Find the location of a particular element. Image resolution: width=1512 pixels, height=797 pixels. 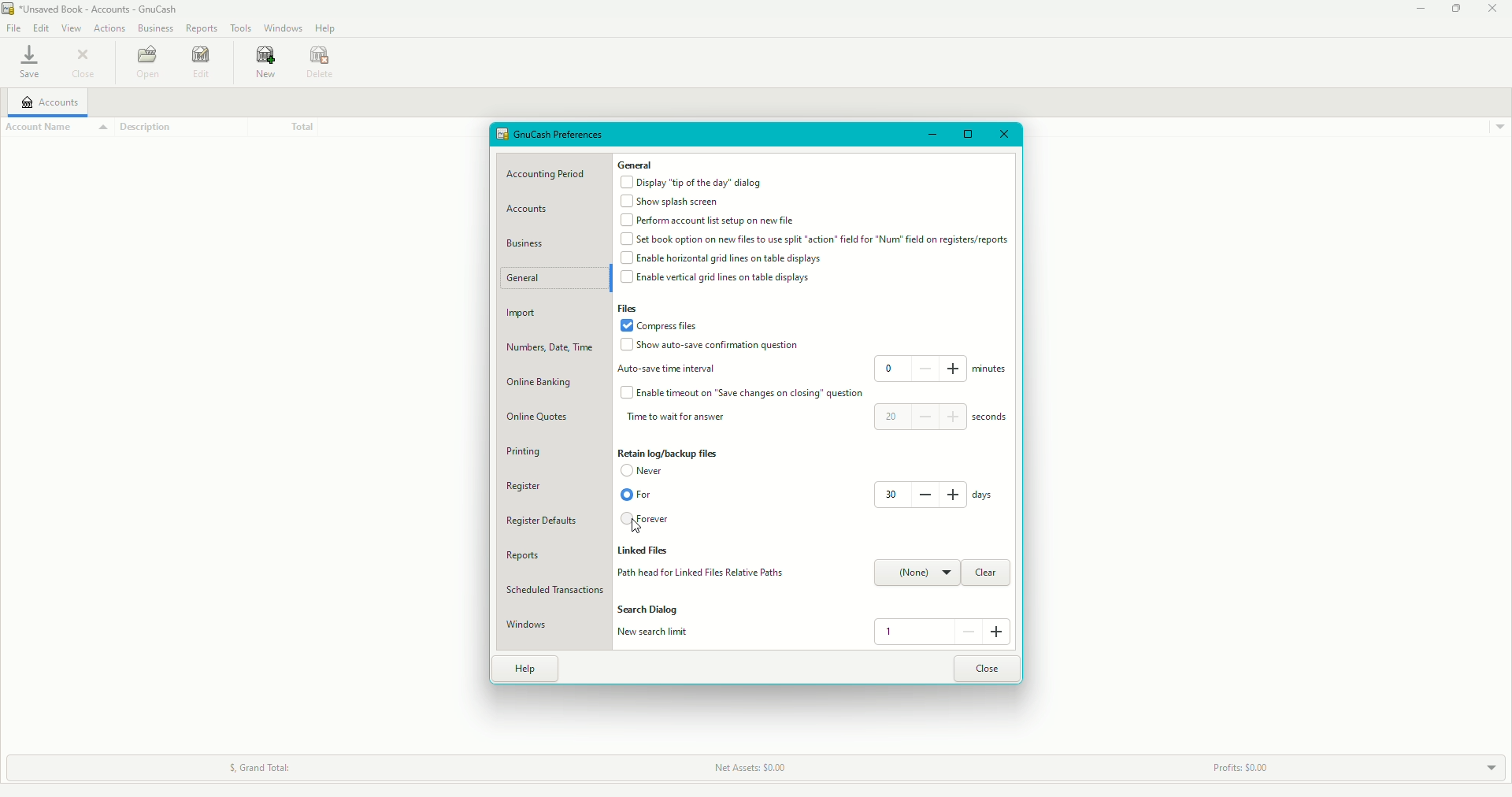

minutes is located at coordinates (991, 372).